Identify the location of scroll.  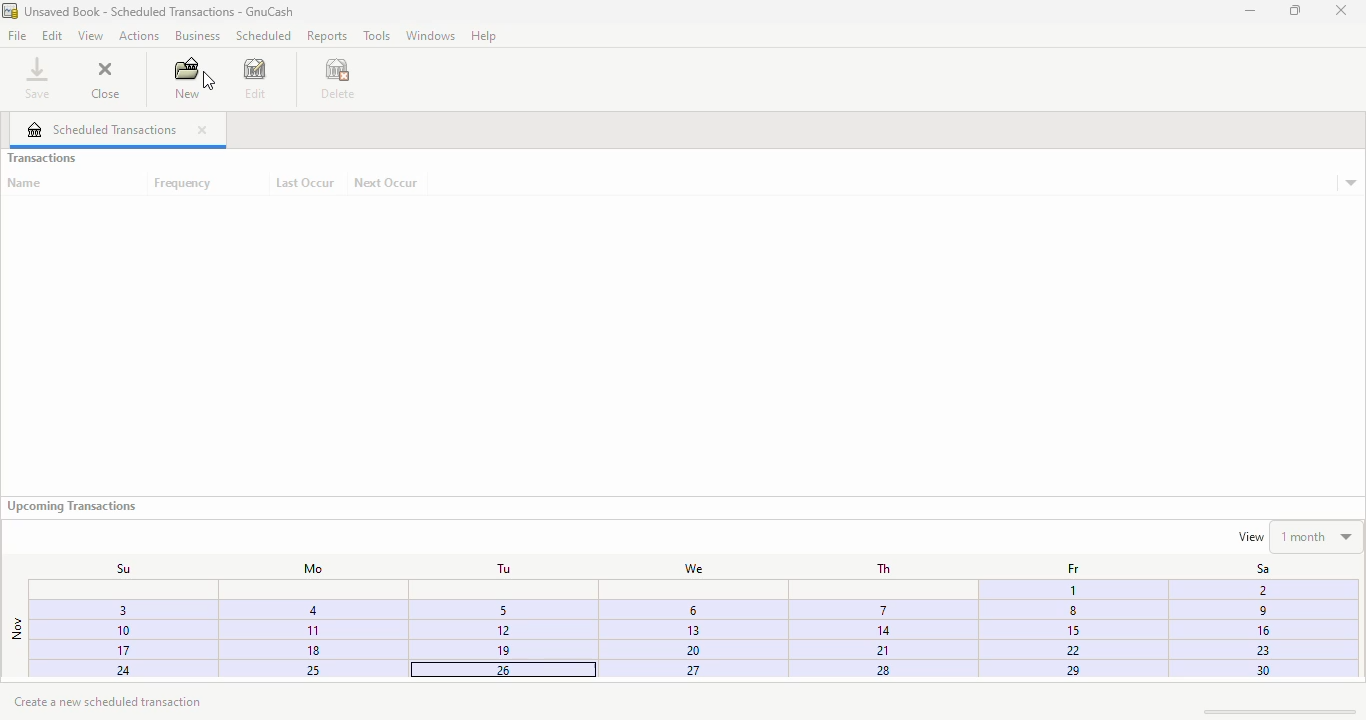
(1280, 713).